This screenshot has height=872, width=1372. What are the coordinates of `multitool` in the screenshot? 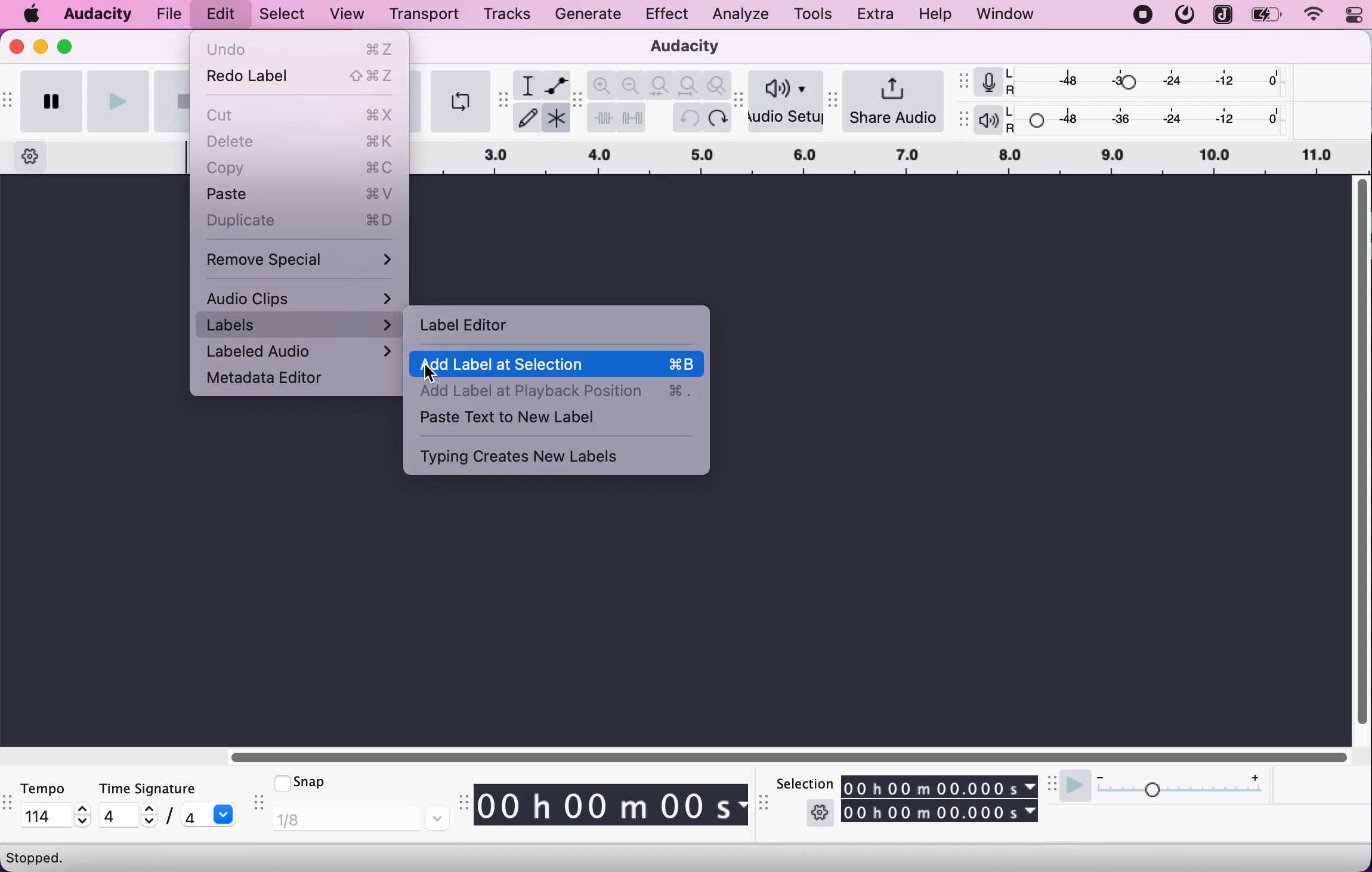 It's located at (555, 117).